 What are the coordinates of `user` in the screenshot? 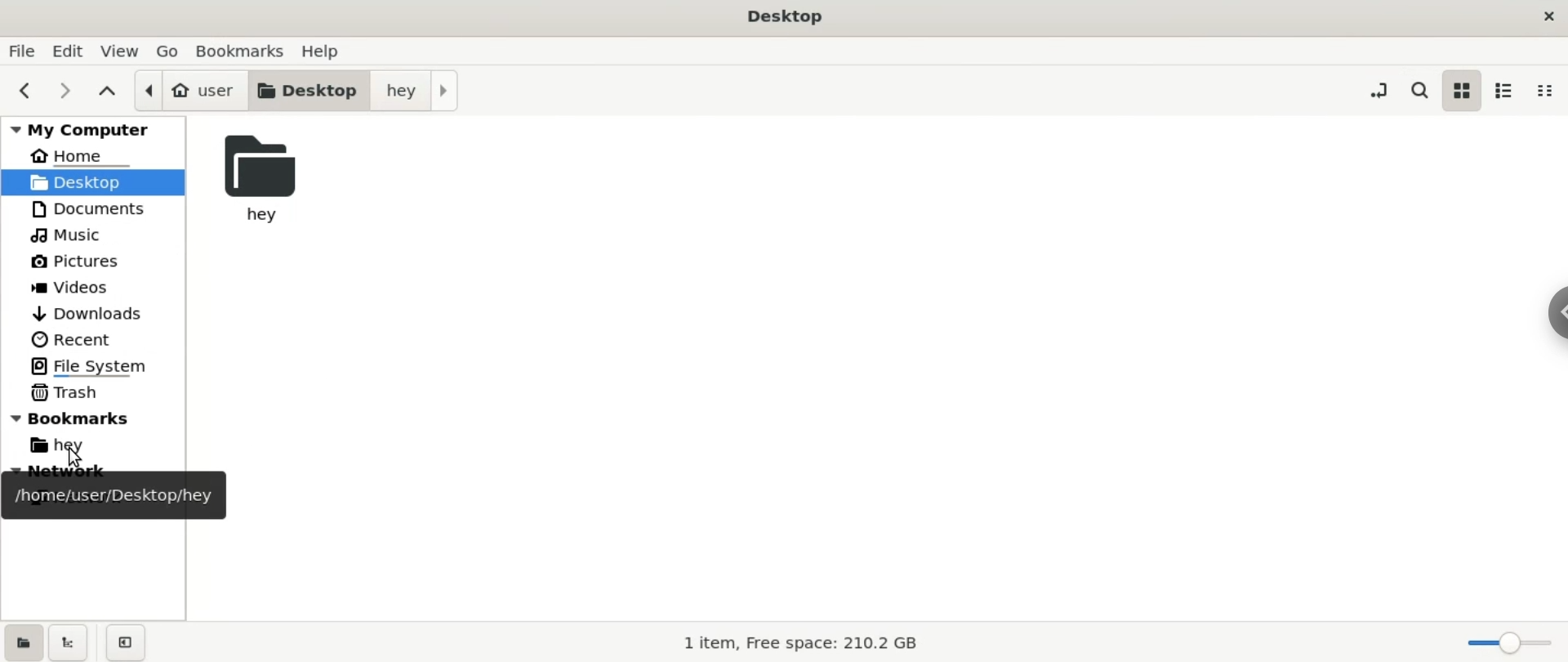 It's located at (189, 91).